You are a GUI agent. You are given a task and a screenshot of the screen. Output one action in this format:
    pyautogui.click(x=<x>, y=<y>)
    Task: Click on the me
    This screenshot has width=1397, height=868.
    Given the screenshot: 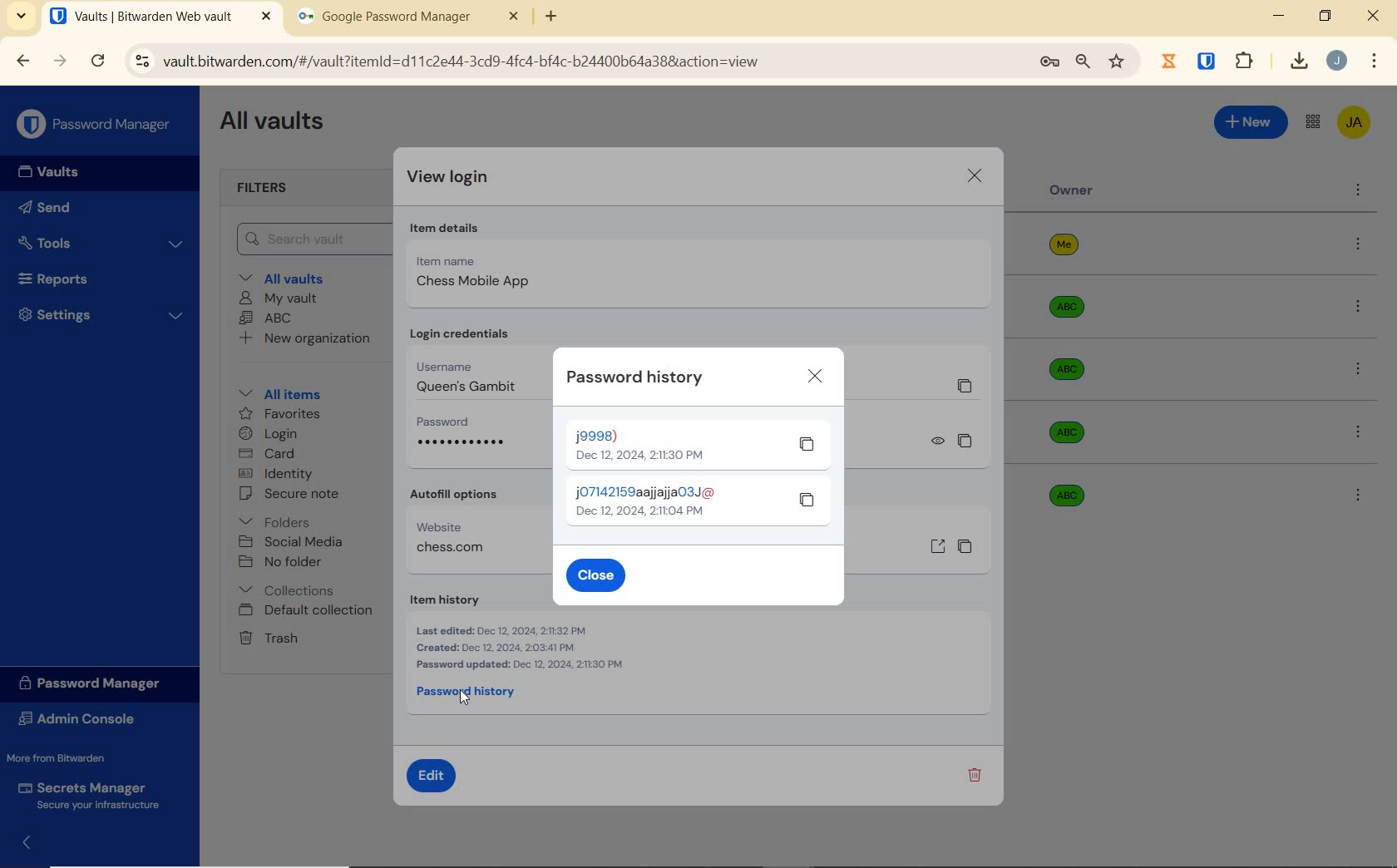 What is the action you would take?
    pyautogui.click(x=1064, y=249)
    